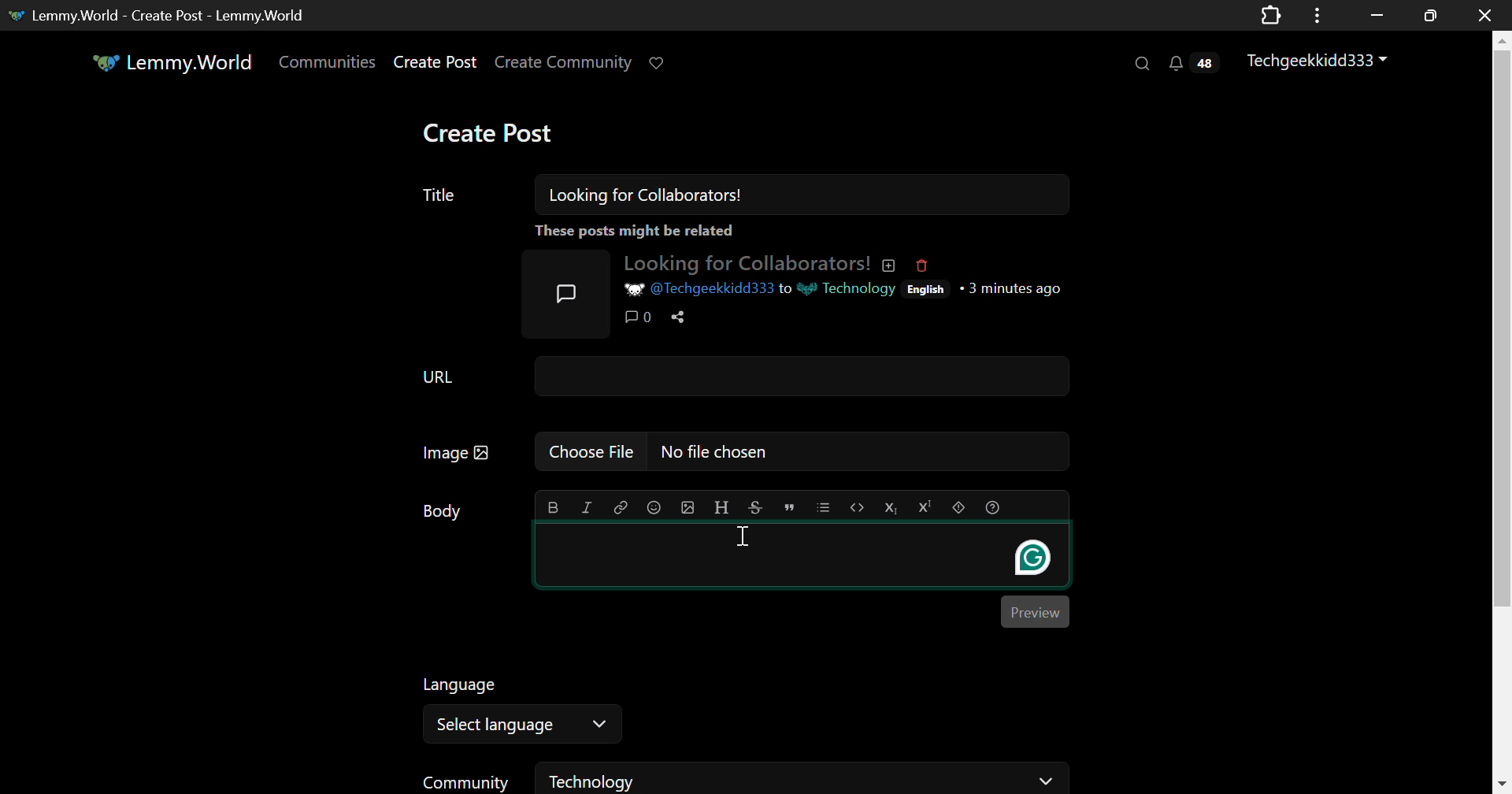 The image size is (1512, 794). Describe the element at coordinates (658, 64) in the screenshot. I see `Donate to Lemmy` at that location.